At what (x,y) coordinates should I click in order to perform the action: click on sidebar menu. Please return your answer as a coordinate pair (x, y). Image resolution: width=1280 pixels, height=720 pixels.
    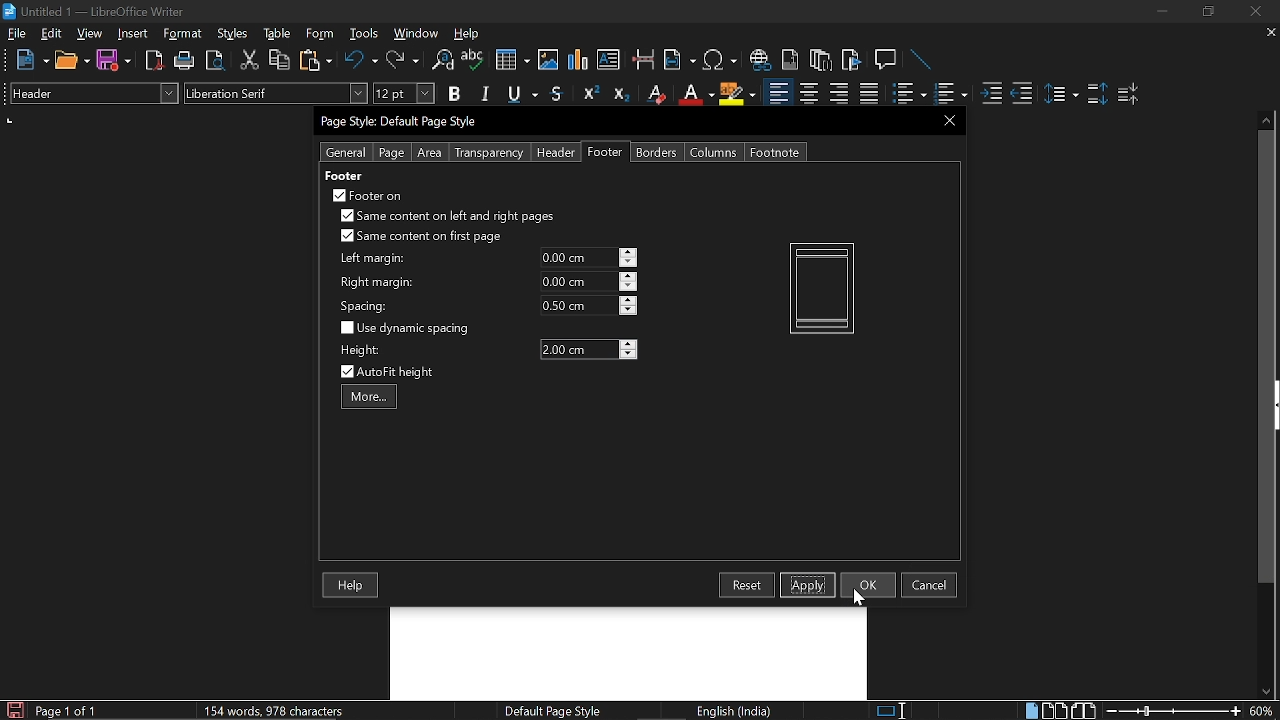
    Looking at the image, I should click on (1276, 405).